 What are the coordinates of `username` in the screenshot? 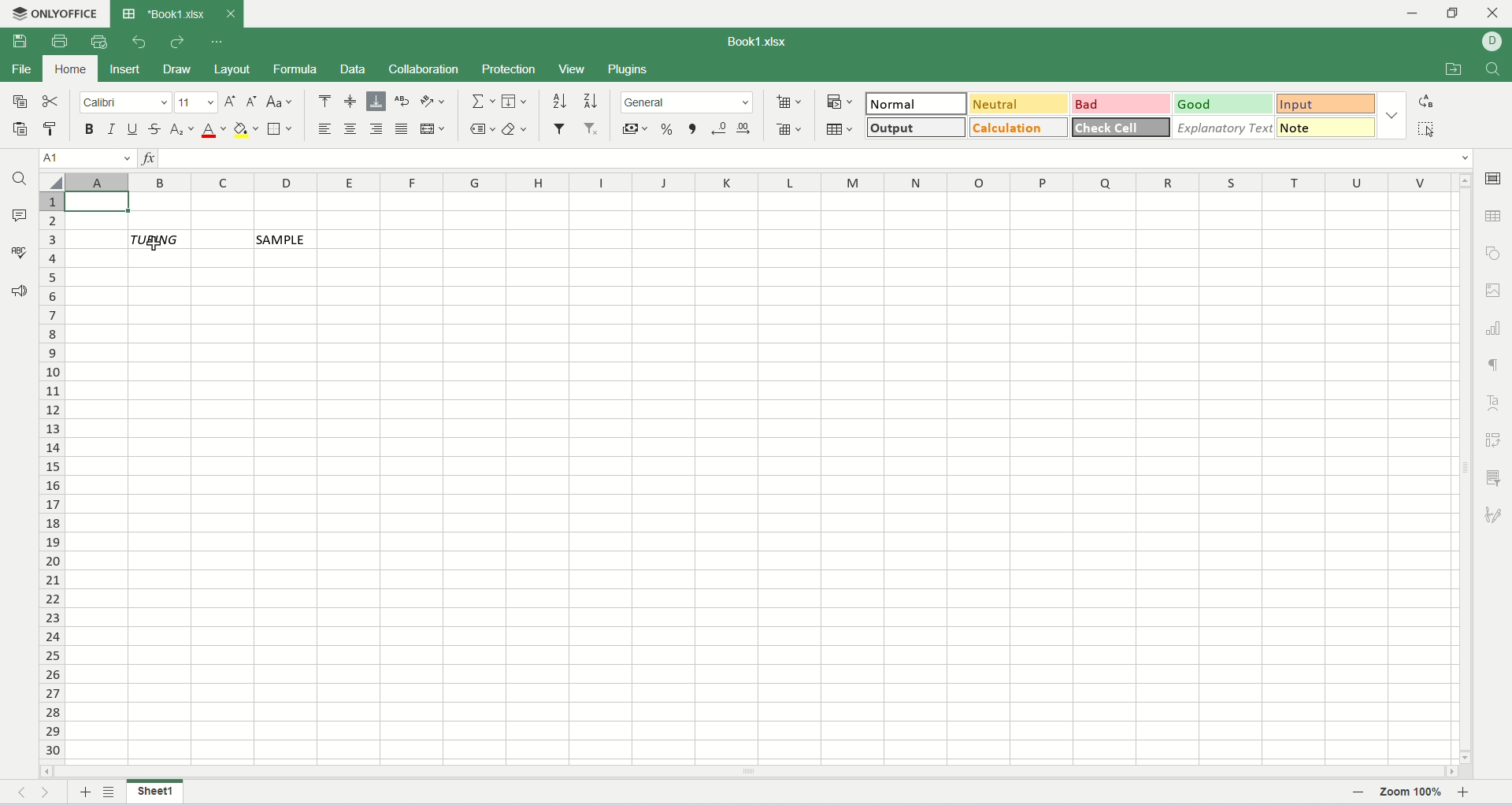 It's located at (1492, 42).